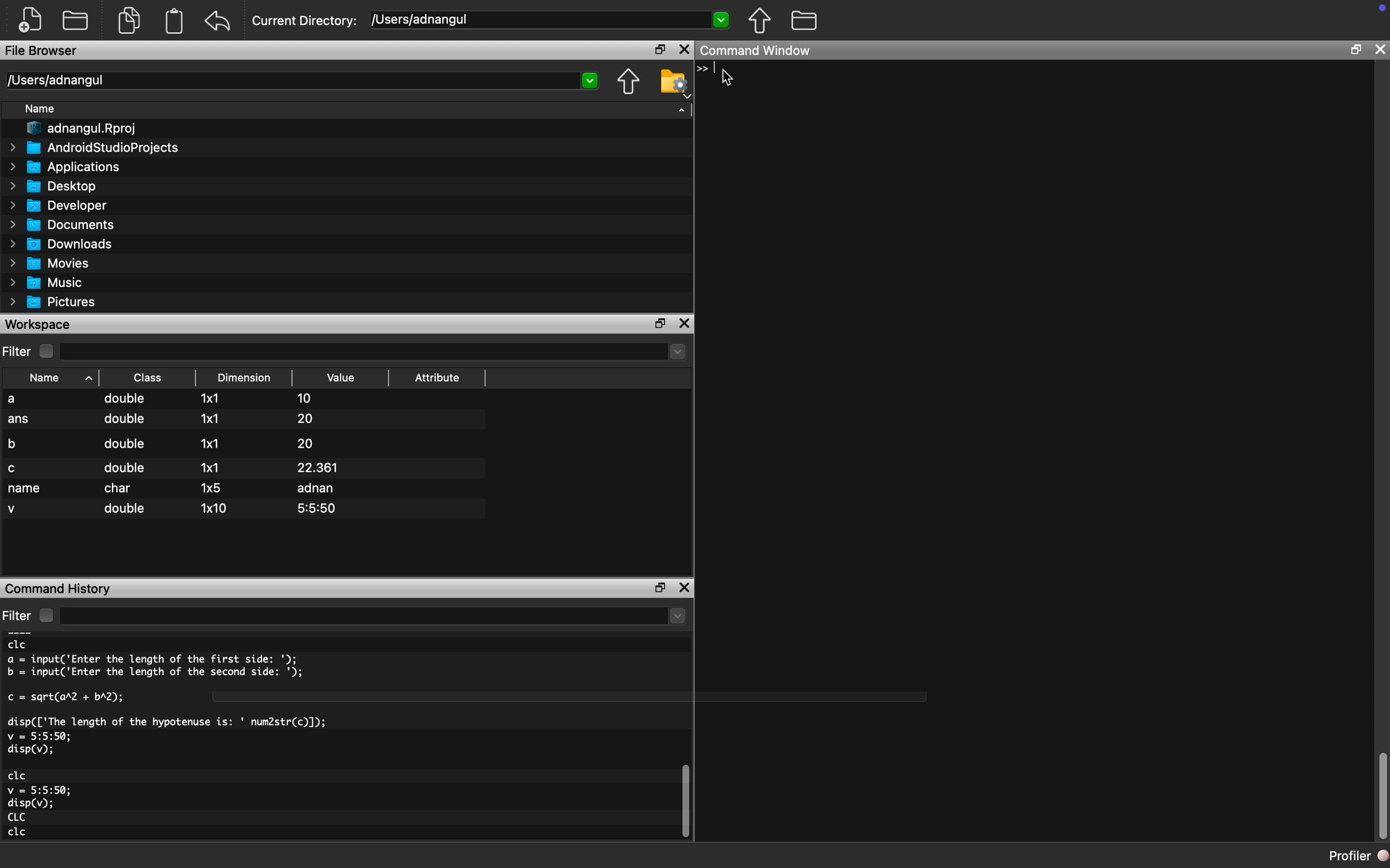  Describe the element at coordinates (146, 376) in the screenshot. I see `Class` at that location.